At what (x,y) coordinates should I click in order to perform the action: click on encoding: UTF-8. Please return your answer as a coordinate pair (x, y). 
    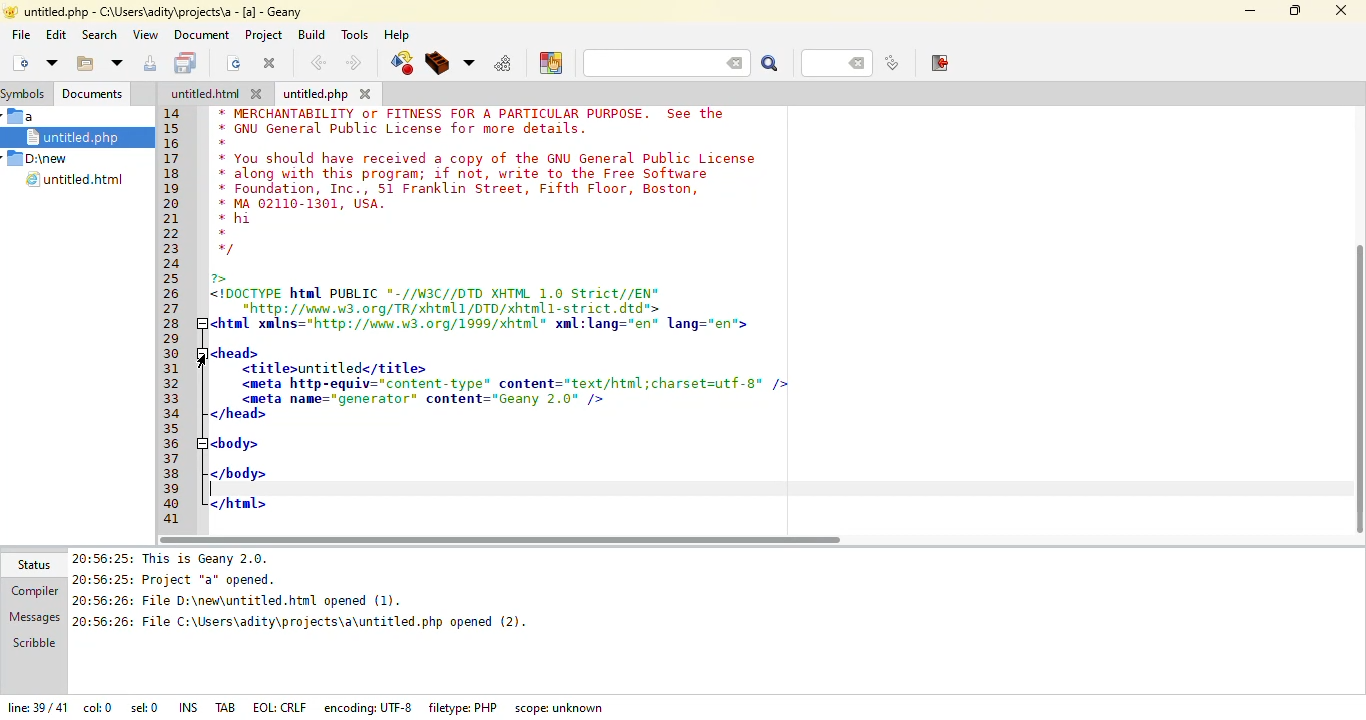
    Looking at the image, I should click on (364, 708).